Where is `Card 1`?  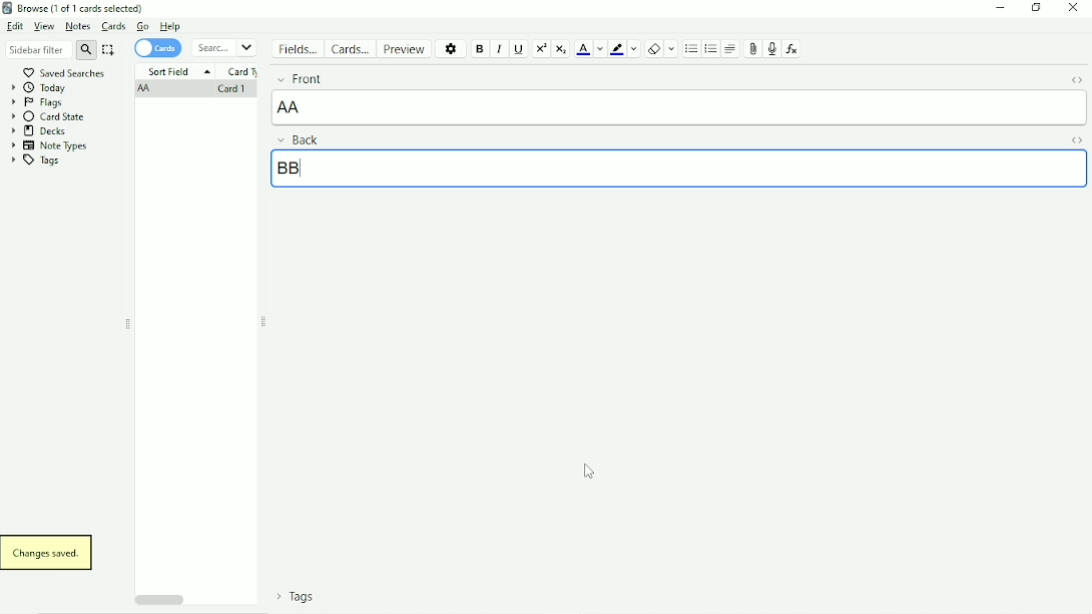
Card 1 is located at coordinates (230, 90).